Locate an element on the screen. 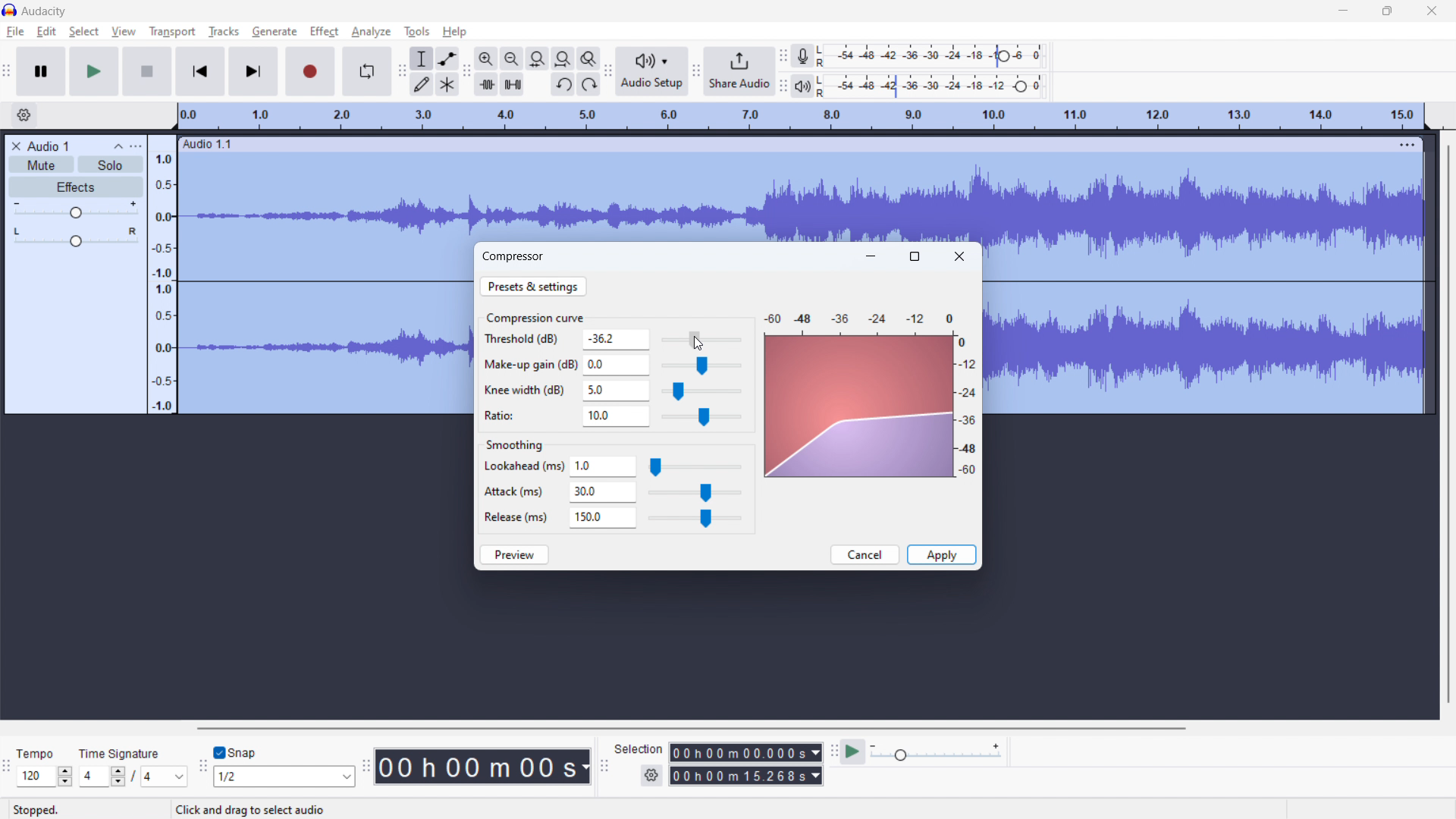  edit toolbar is located at coordinates (466, 71).